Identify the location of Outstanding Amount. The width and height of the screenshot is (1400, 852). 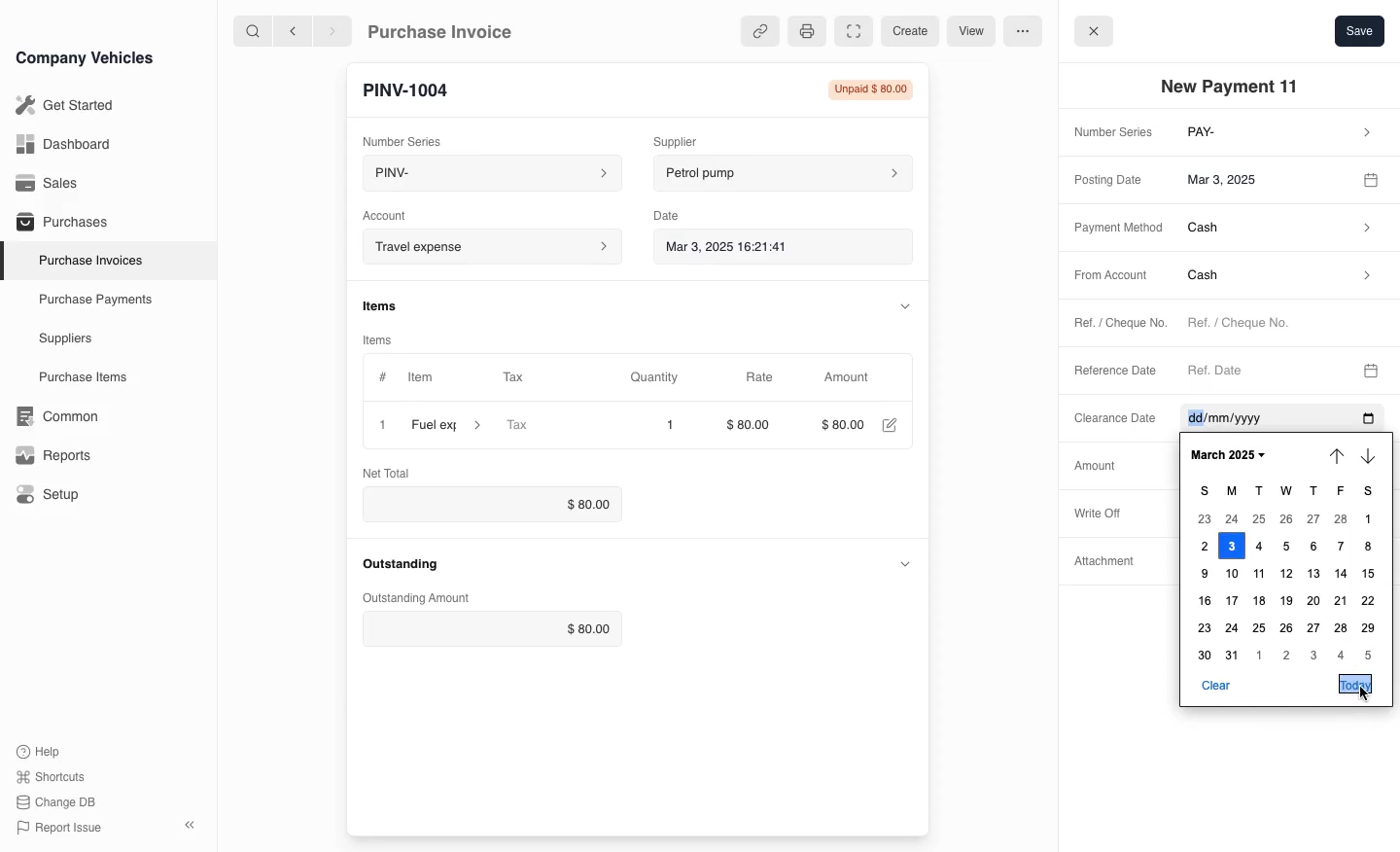
(412, 598).